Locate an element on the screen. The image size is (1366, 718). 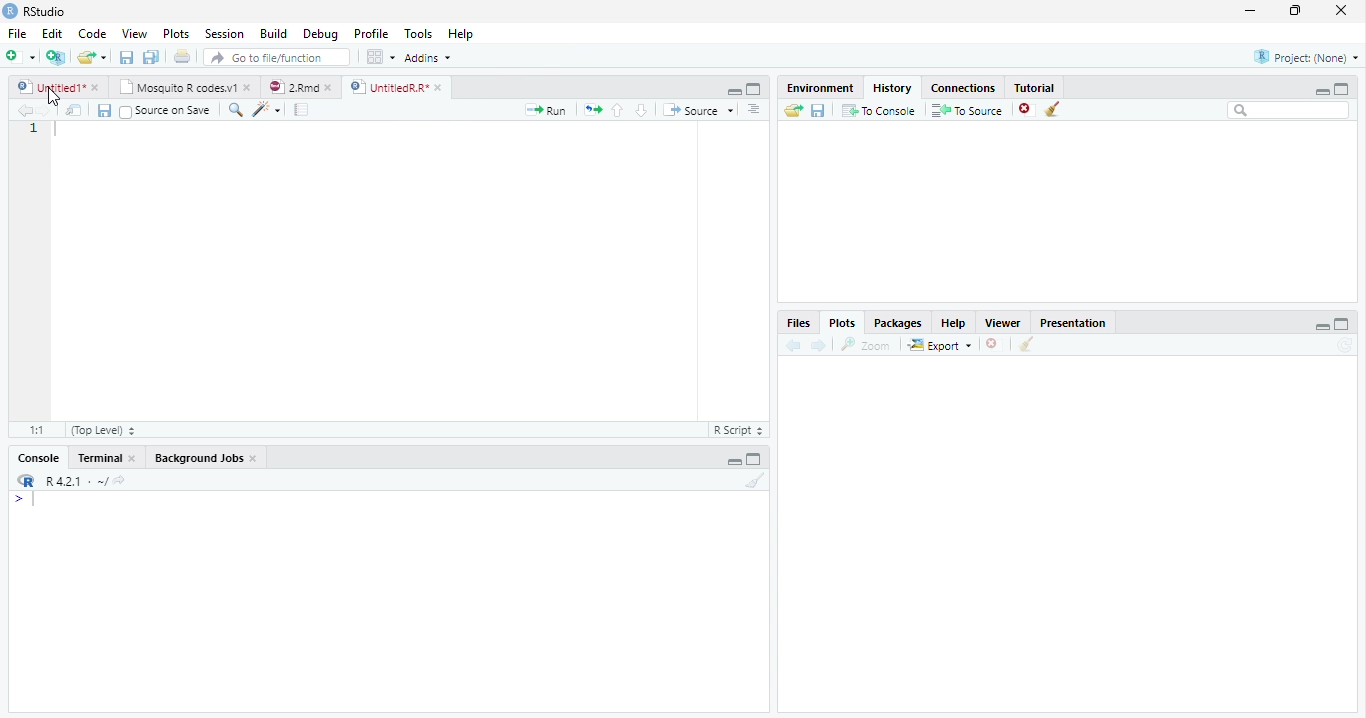
View current directory is located at coordinates (121, 481).